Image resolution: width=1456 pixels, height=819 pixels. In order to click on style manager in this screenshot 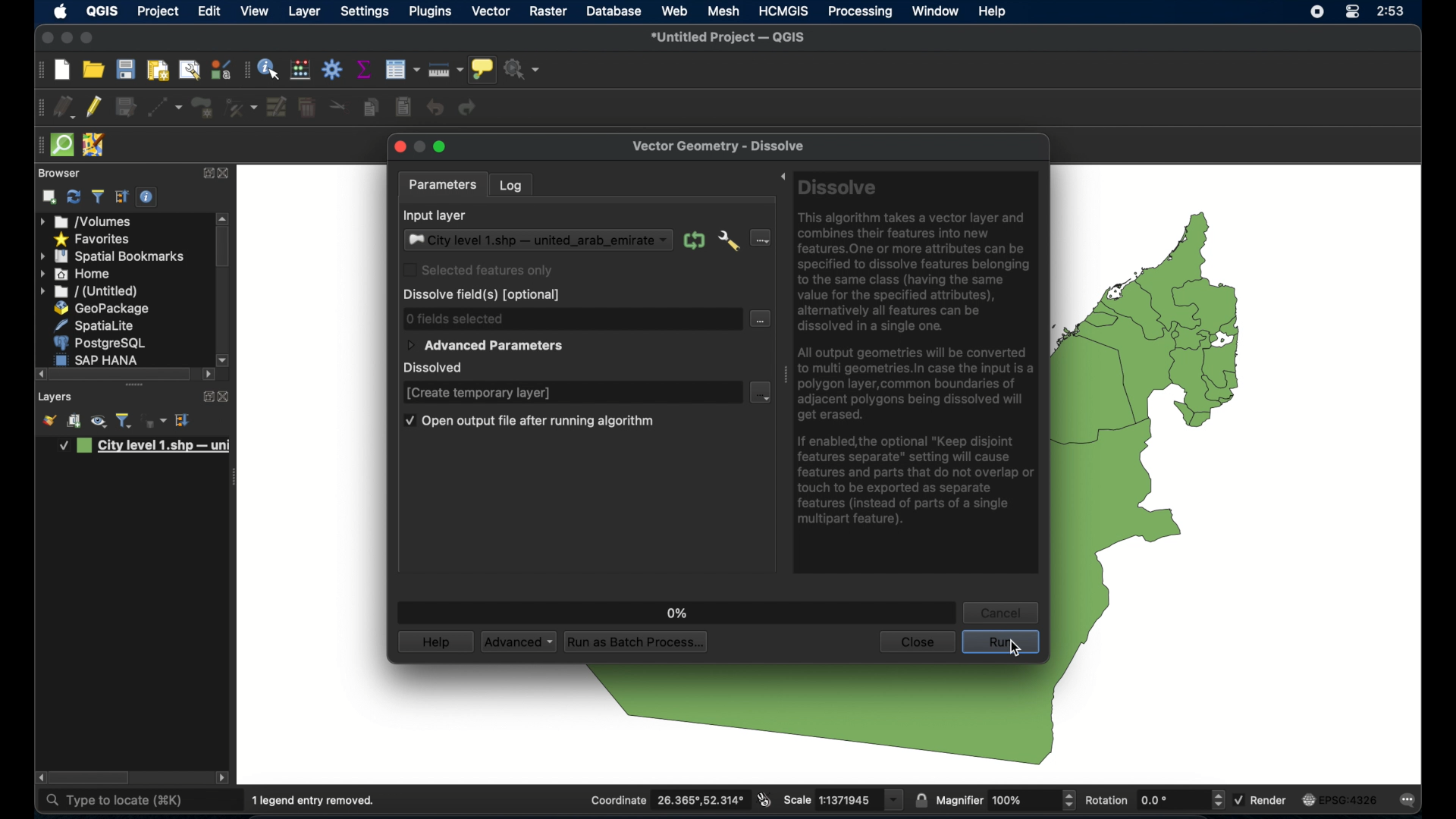, I will do `click(219, 69)`.